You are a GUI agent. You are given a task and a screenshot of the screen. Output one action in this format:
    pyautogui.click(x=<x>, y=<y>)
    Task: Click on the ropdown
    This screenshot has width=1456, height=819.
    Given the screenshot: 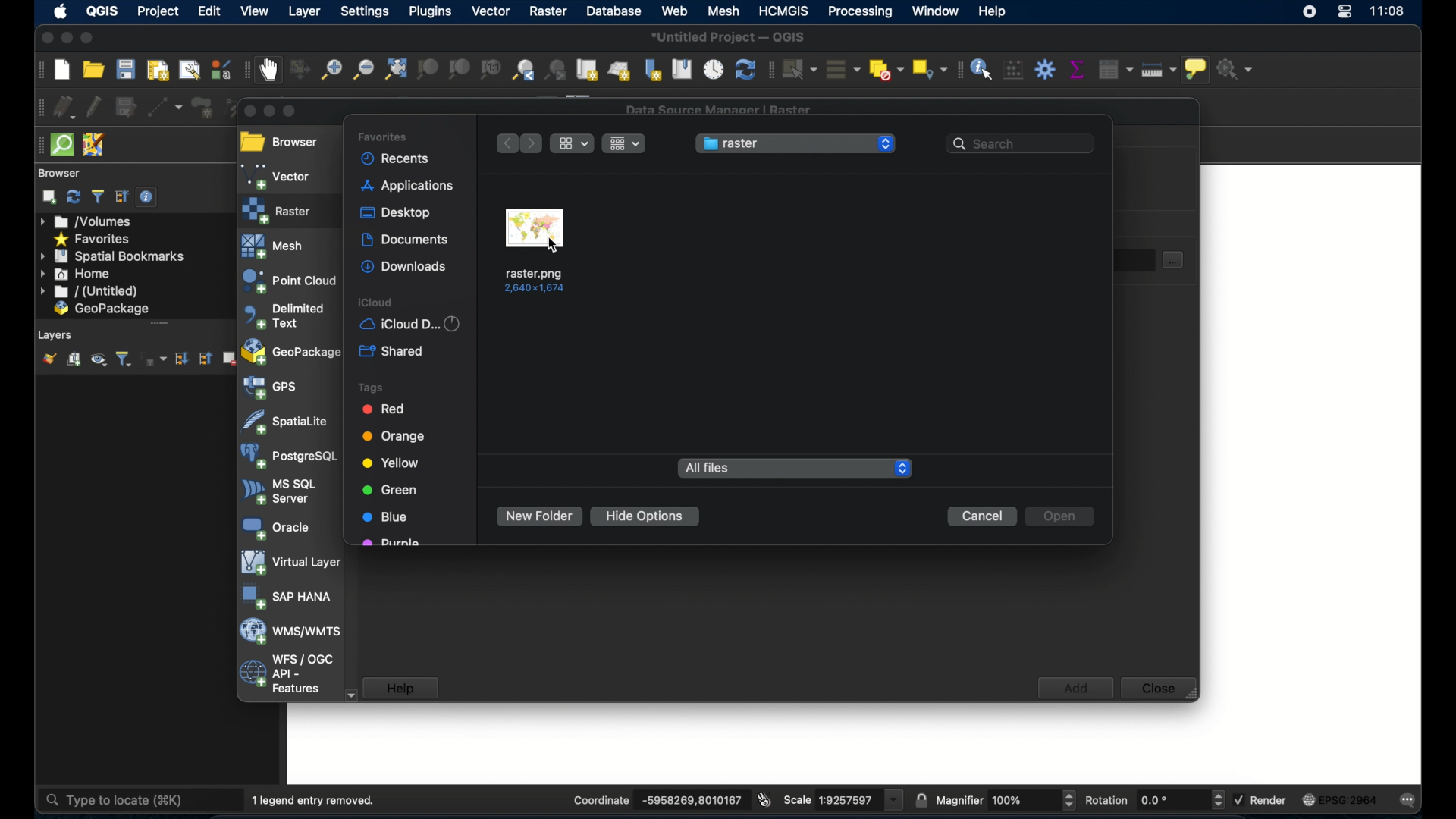 What is the action you would take?
    pyautogui.click(x=572, y=143)
    